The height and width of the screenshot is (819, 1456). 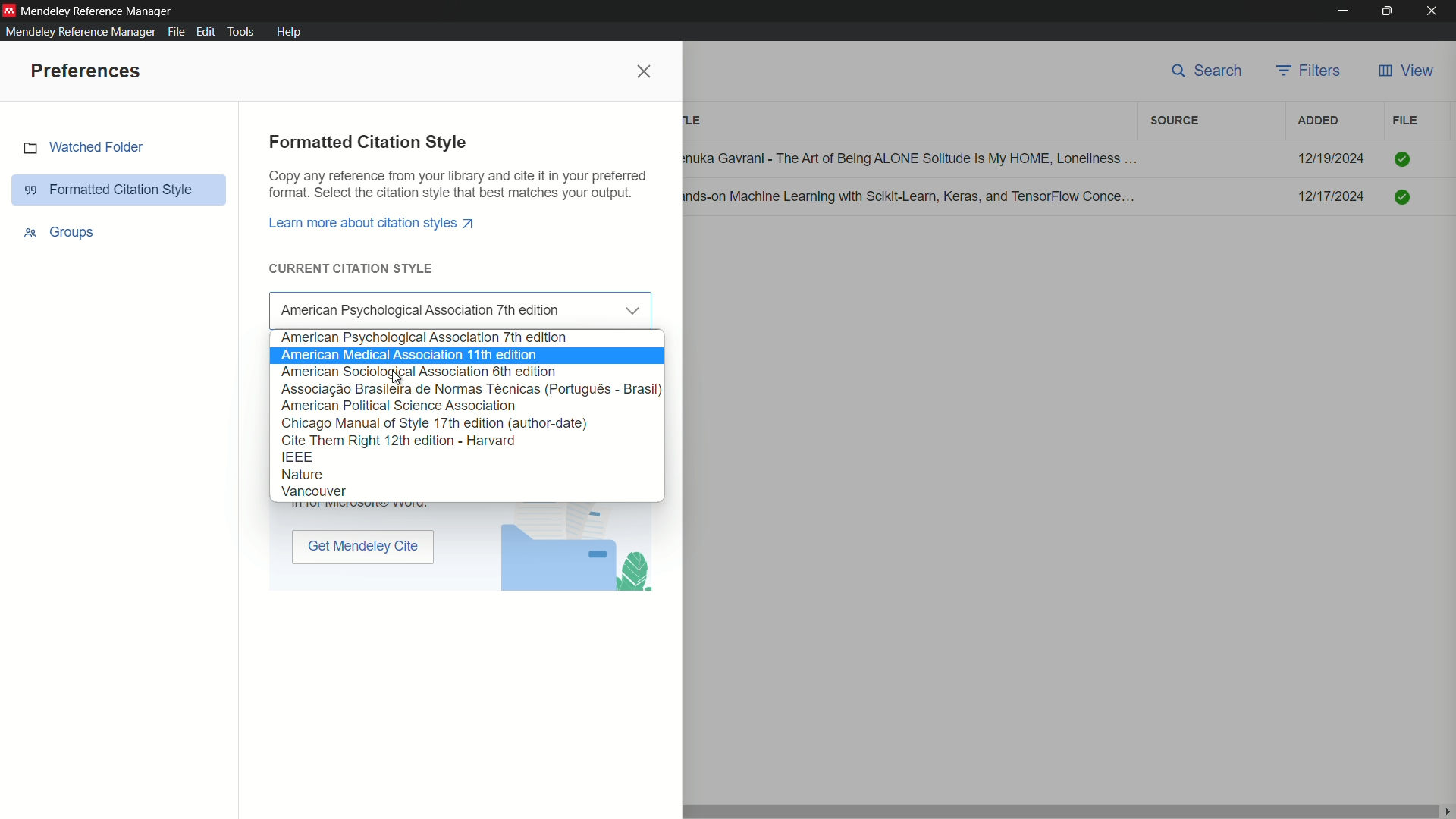 I want to click on mendeley reference manager, so click(x=80, y=32).